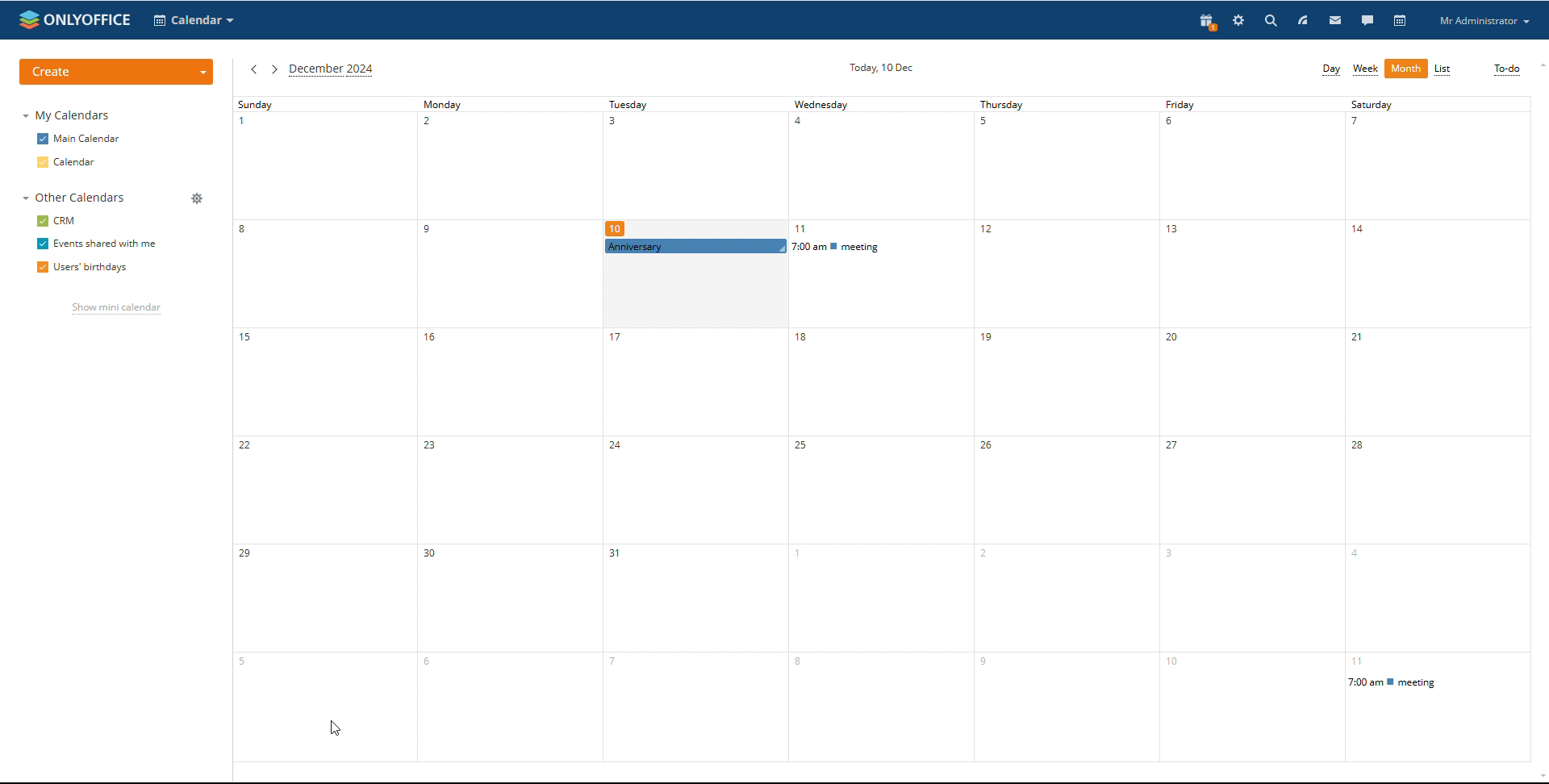  Describe the element at coordinates (1484, 21) in the screenshot. I see `profile` at that location.